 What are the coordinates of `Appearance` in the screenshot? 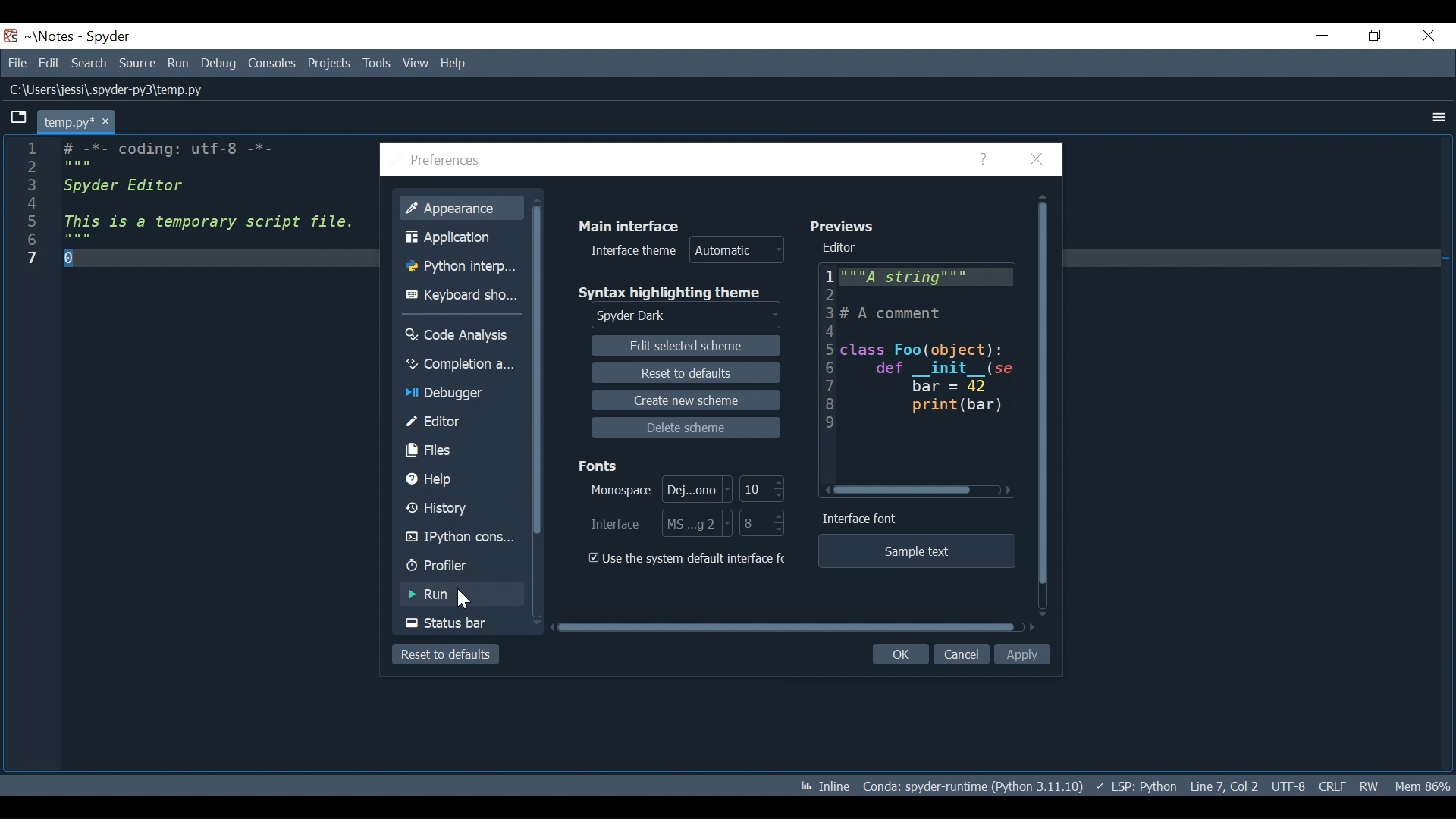 It's located at (464, 208).